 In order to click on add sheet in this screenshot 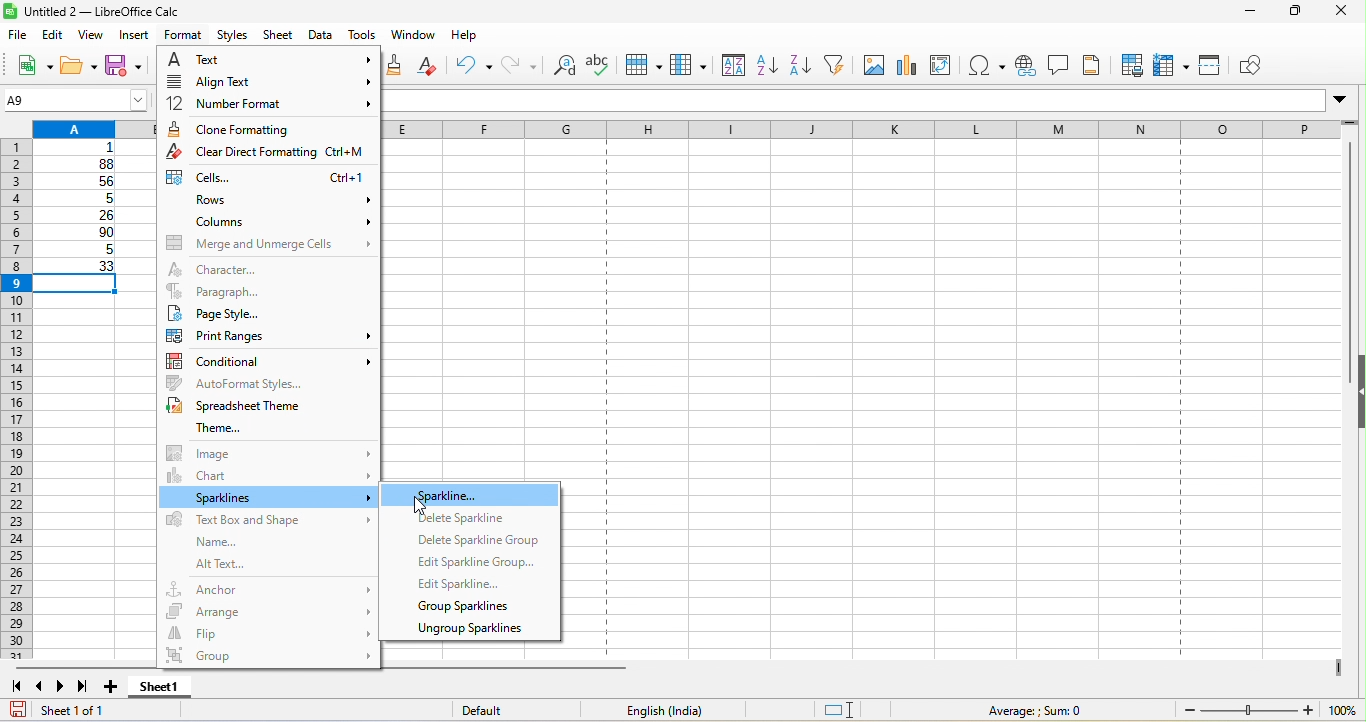, I will do `click(113, 687)`.